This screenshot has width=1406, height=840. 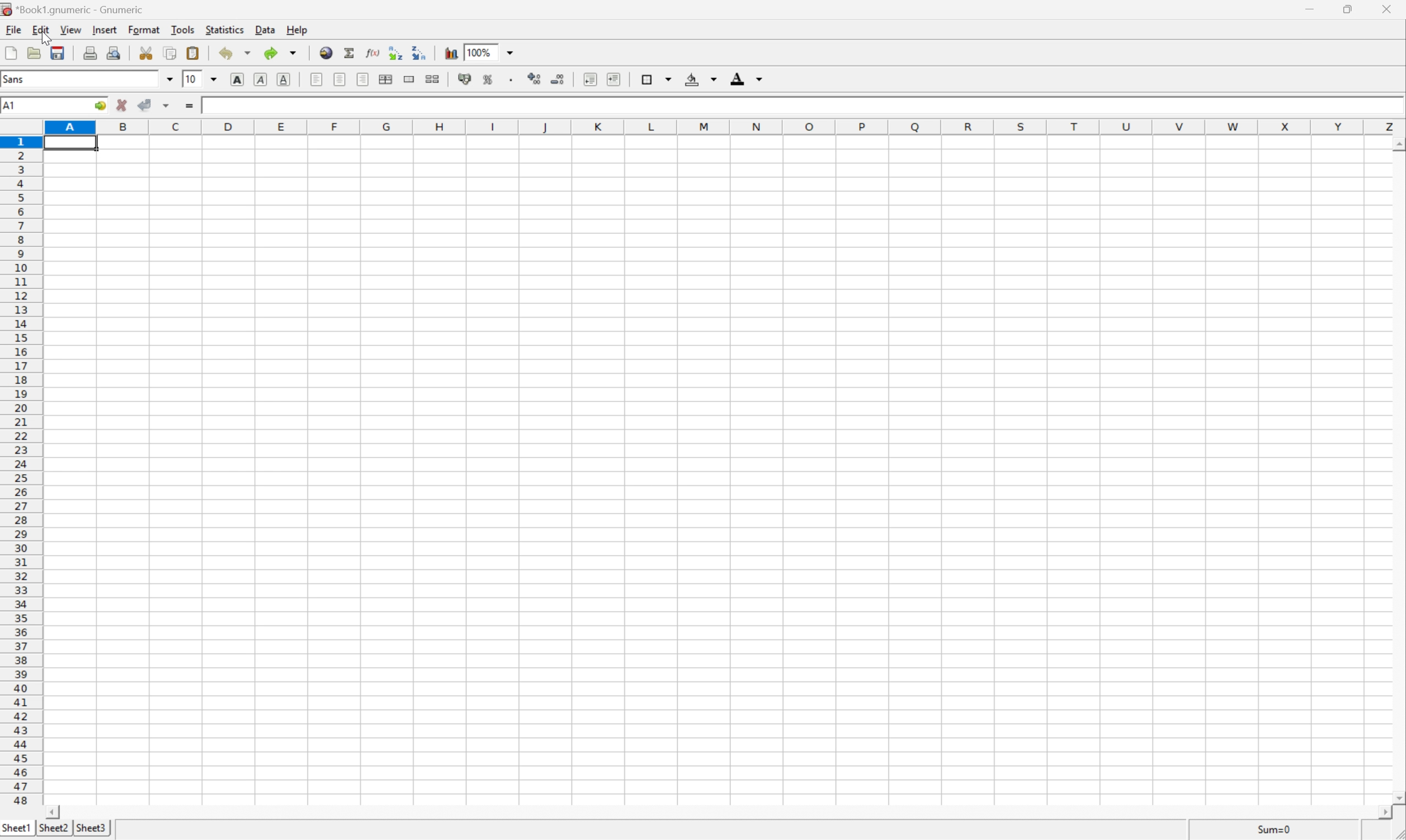 What do you see at coordinates (703, 79) in the screenshot?
I see `background color` at bounding box center [703, 79].